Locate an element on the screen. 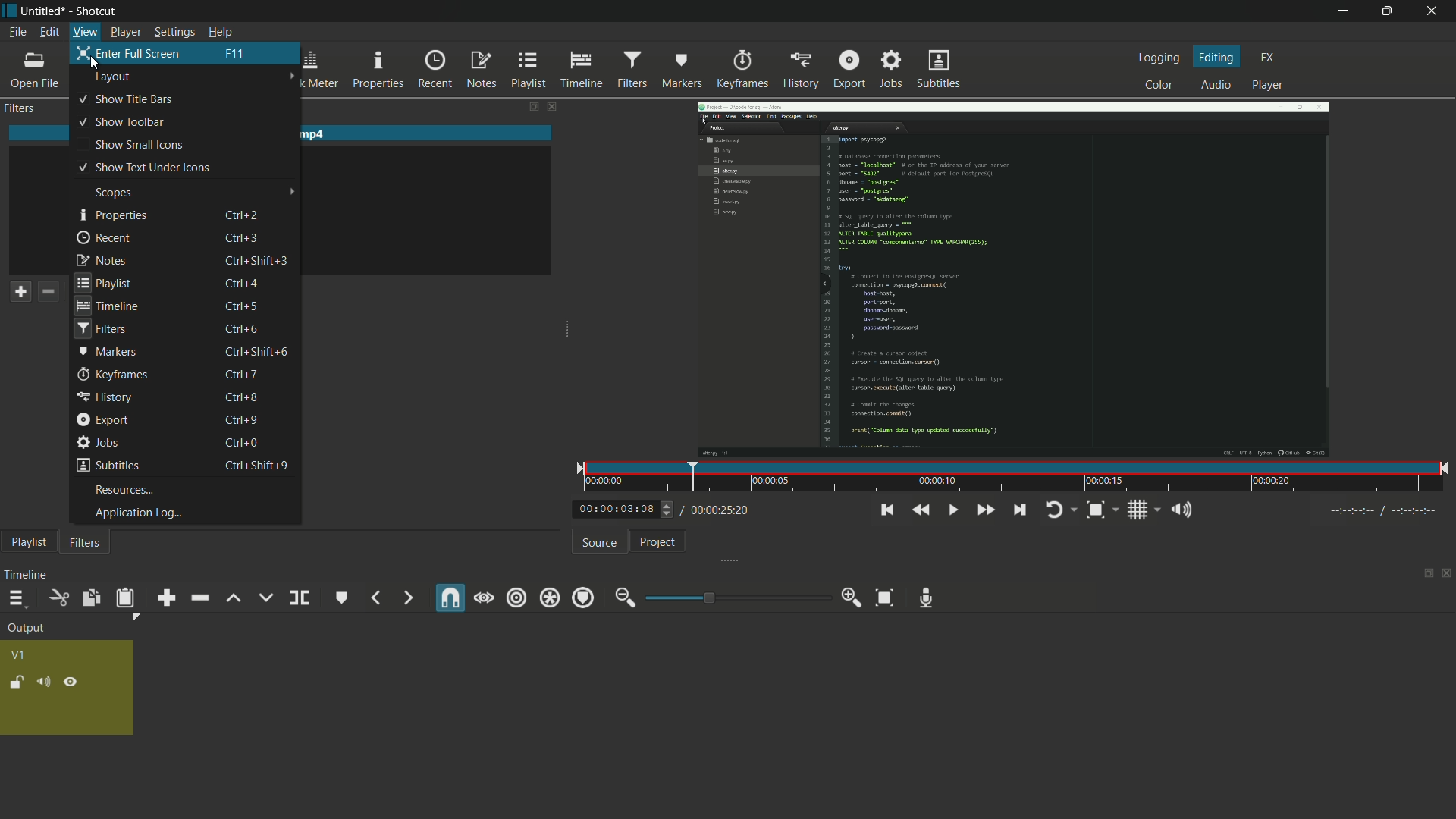 The image size is (1456, 819). filters is located at coordinates (85, 544).